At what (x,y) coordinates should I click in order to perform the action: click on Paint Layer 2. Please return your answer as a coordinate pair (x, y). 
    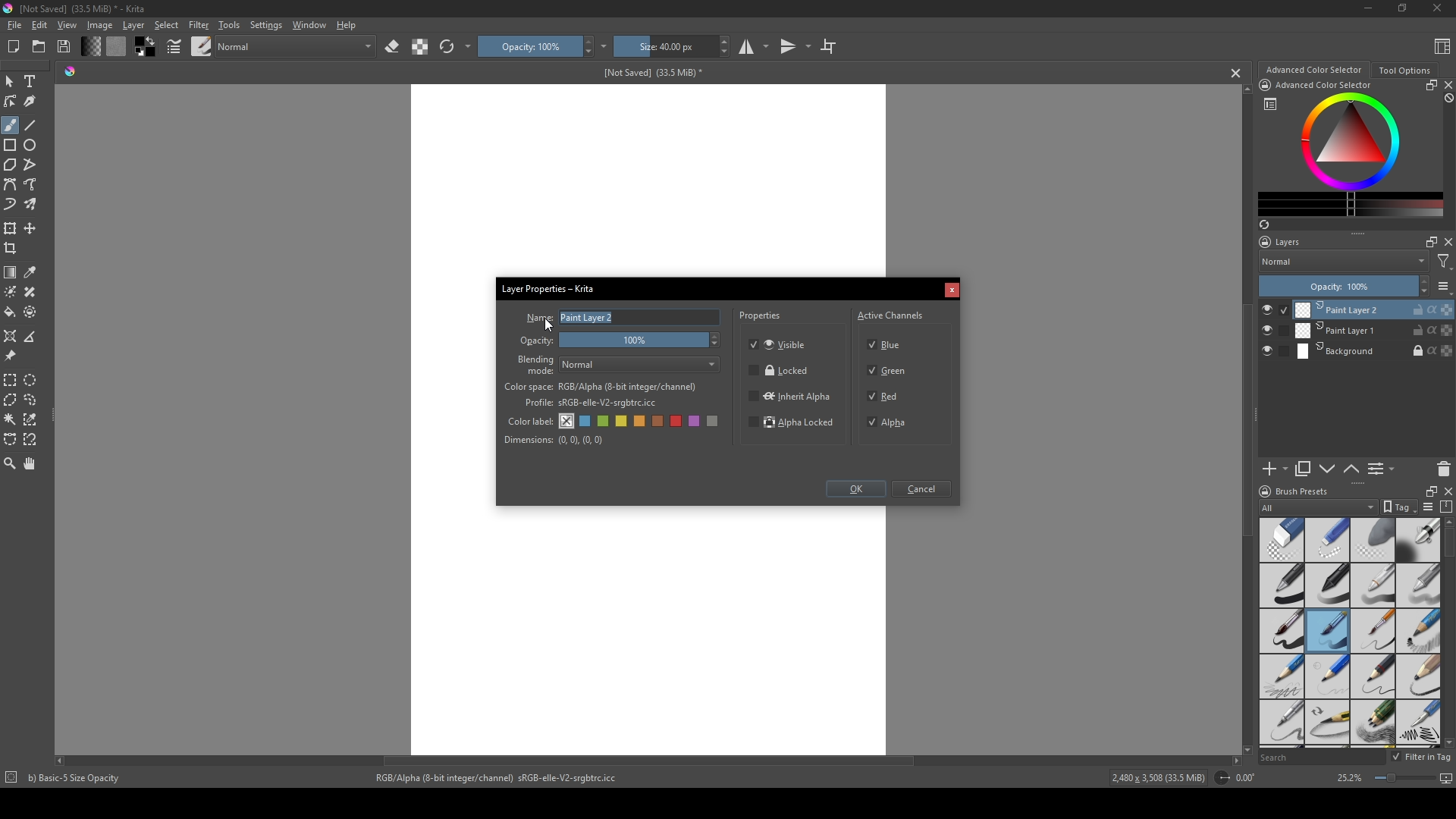
    Looking at the image, I should click on (640, 318).